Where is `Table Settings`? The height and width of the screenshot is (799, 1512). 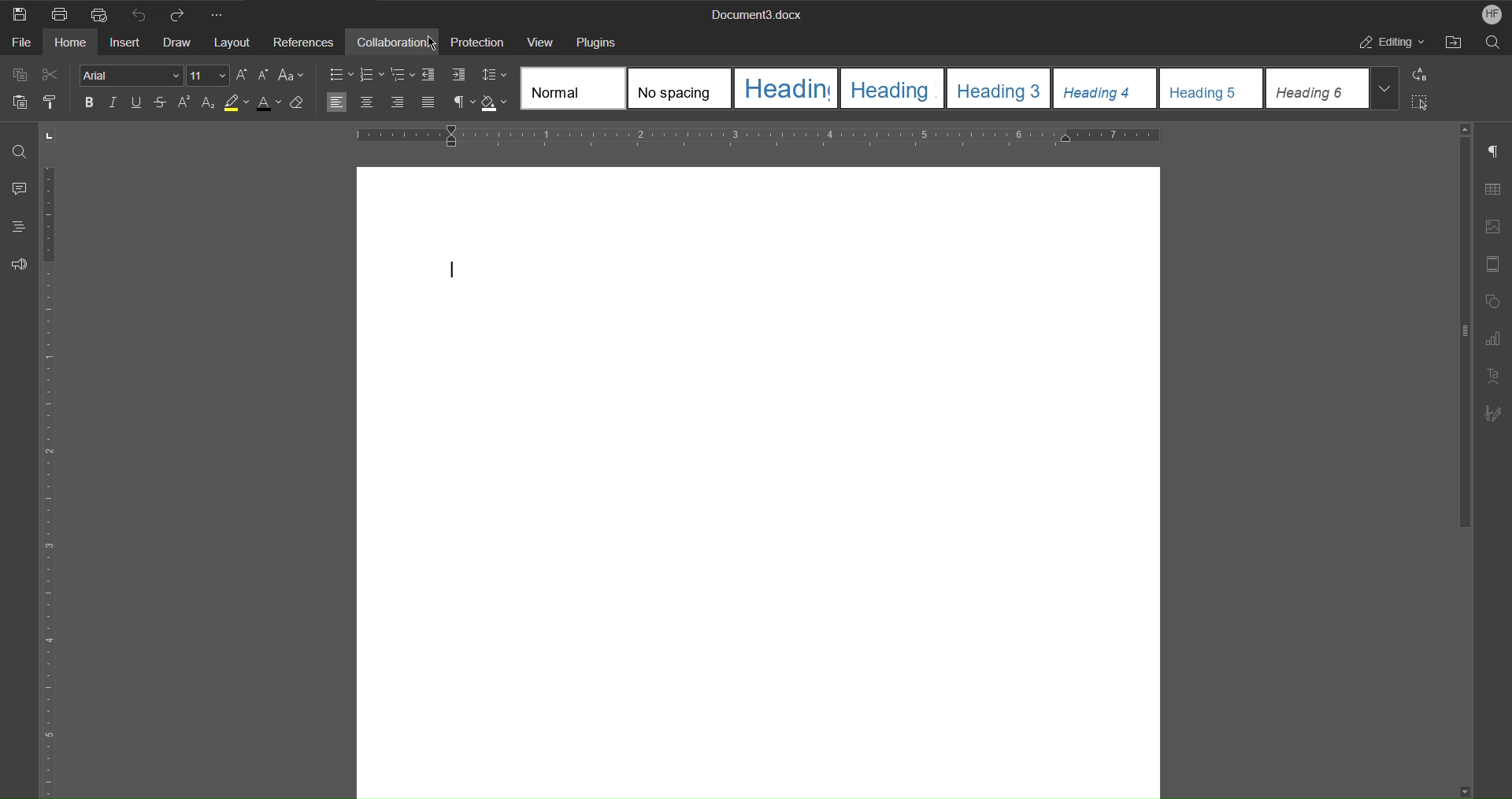 Table Settings is located at coordinates (1496, 188).